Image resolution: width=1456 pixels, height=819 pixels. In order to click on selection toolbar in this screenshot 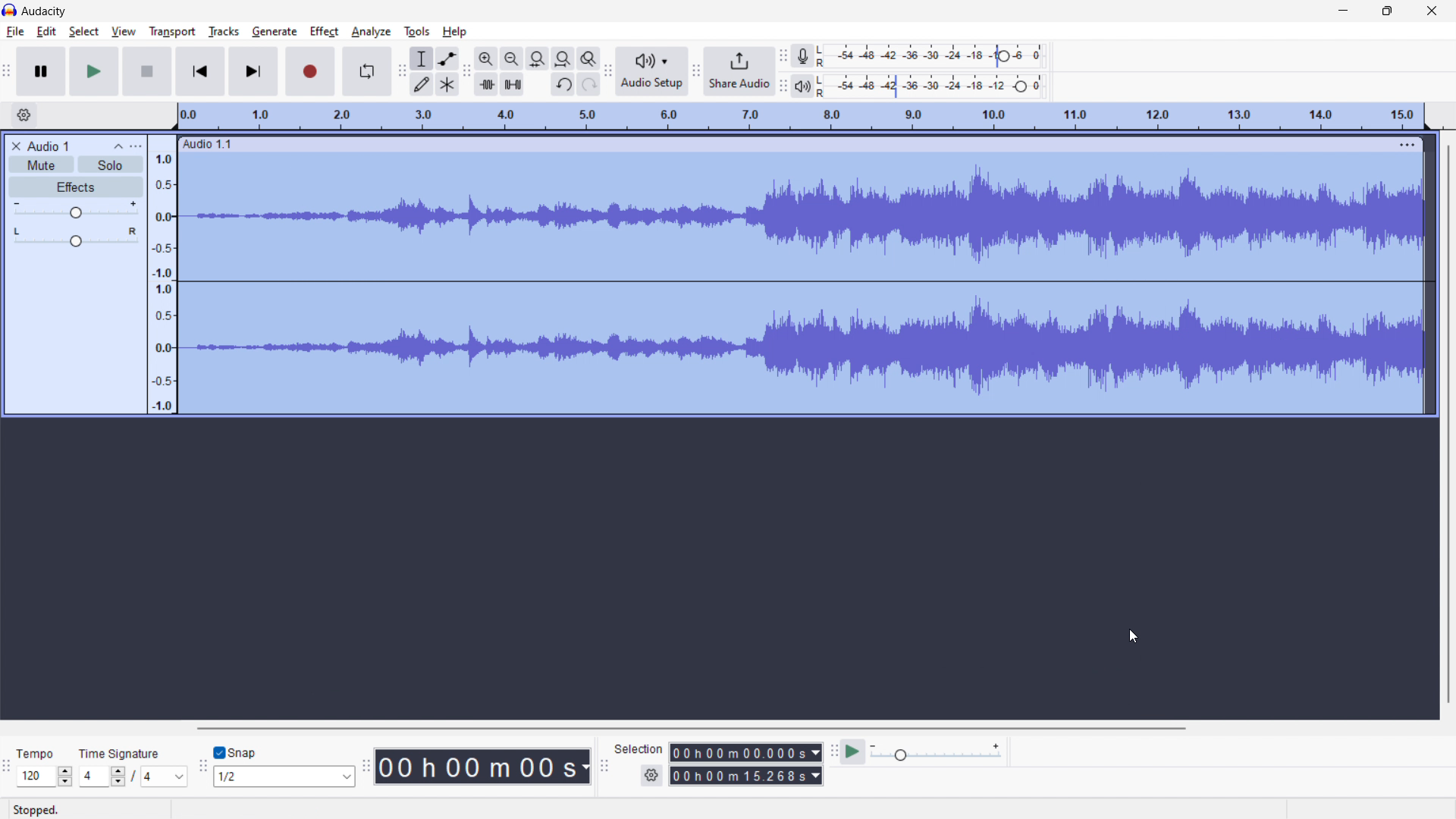, I will do `click(603, 765)`.